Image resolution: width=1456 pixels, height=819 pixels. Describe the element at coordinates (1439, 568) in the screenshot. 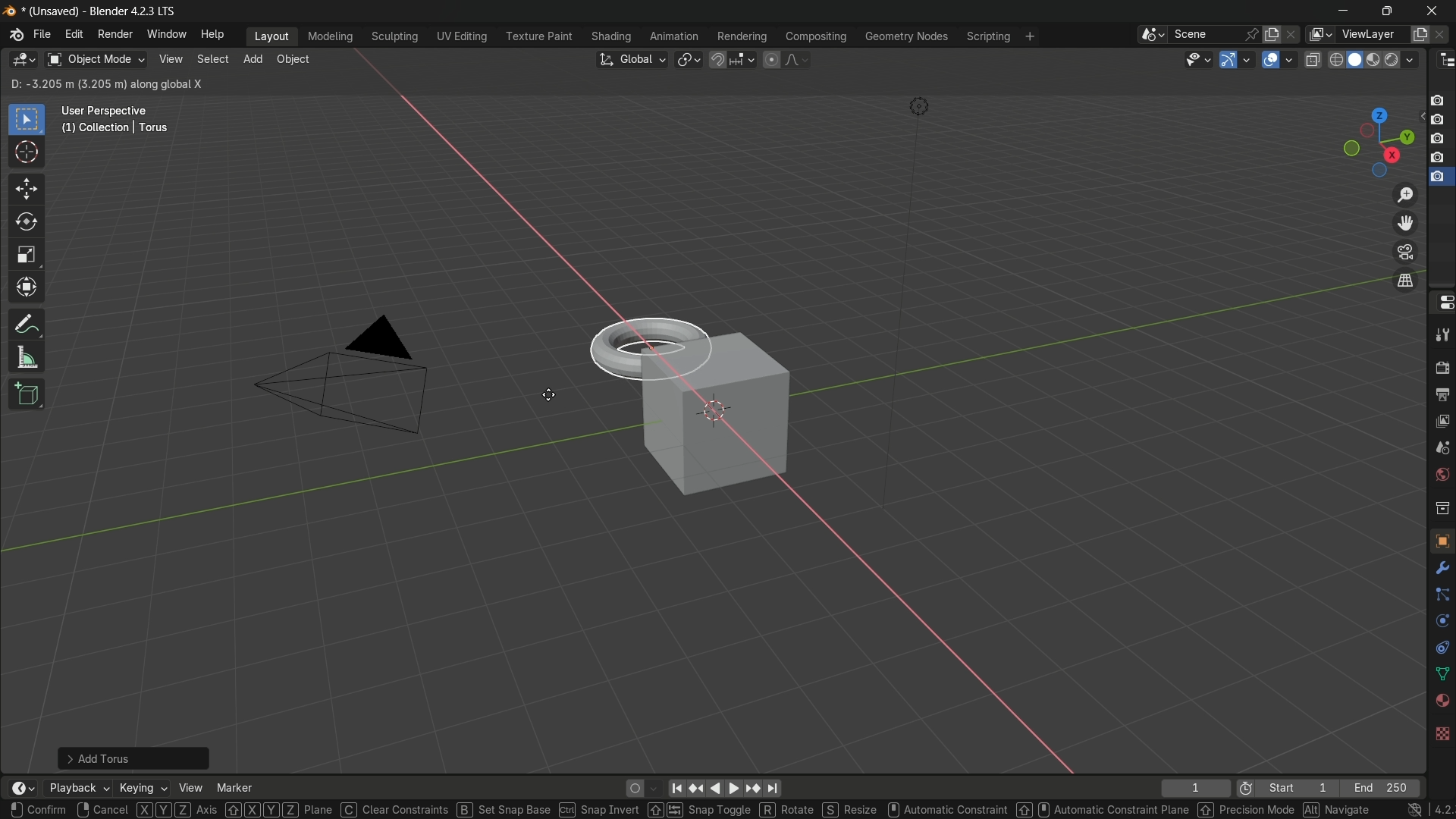

I see `modifier` at that location.